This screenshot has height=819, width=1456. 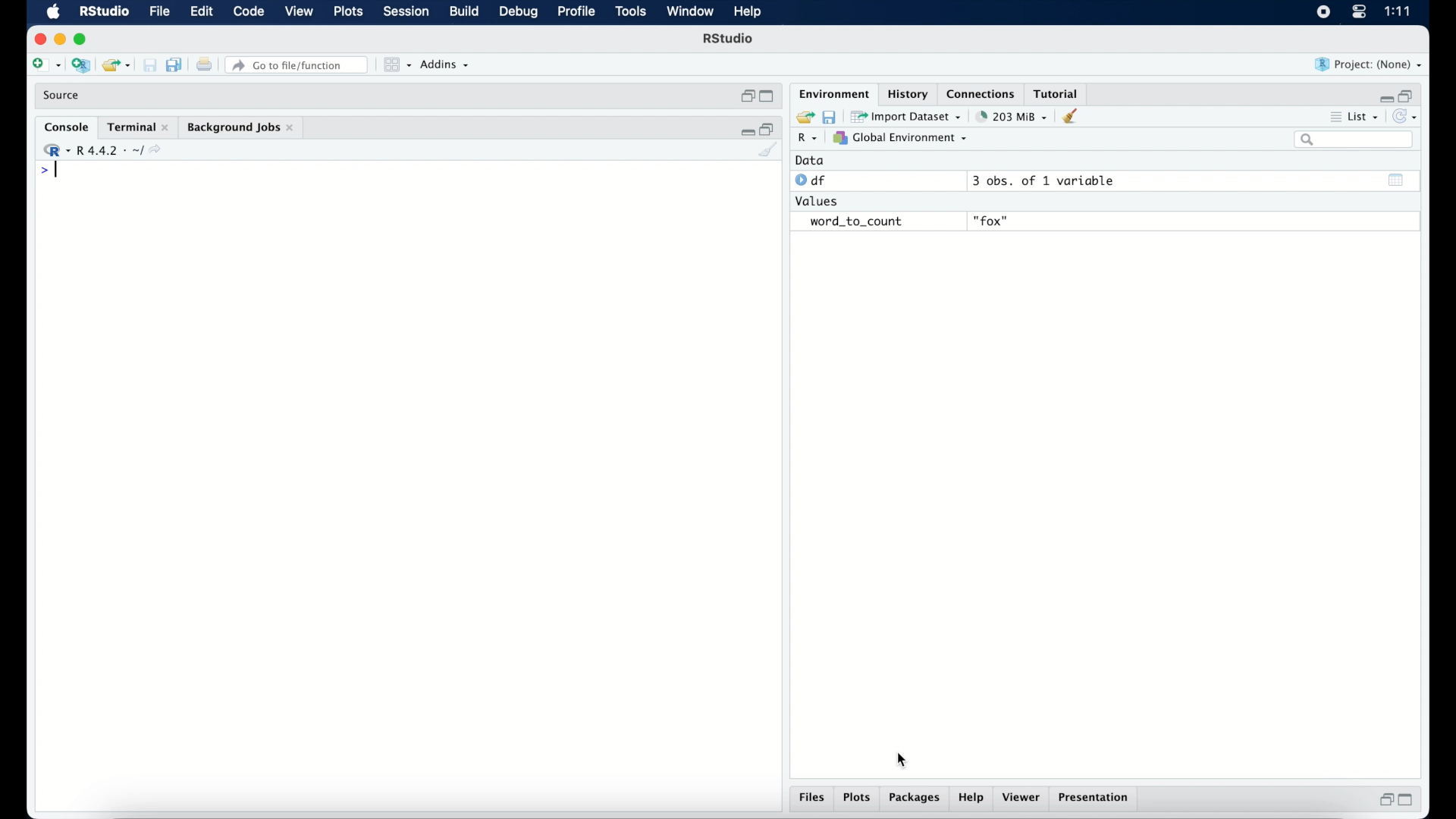 What do you see at coordinates (161, 12) in the screenshot?
I see `file` at bounding box center [161, 12].